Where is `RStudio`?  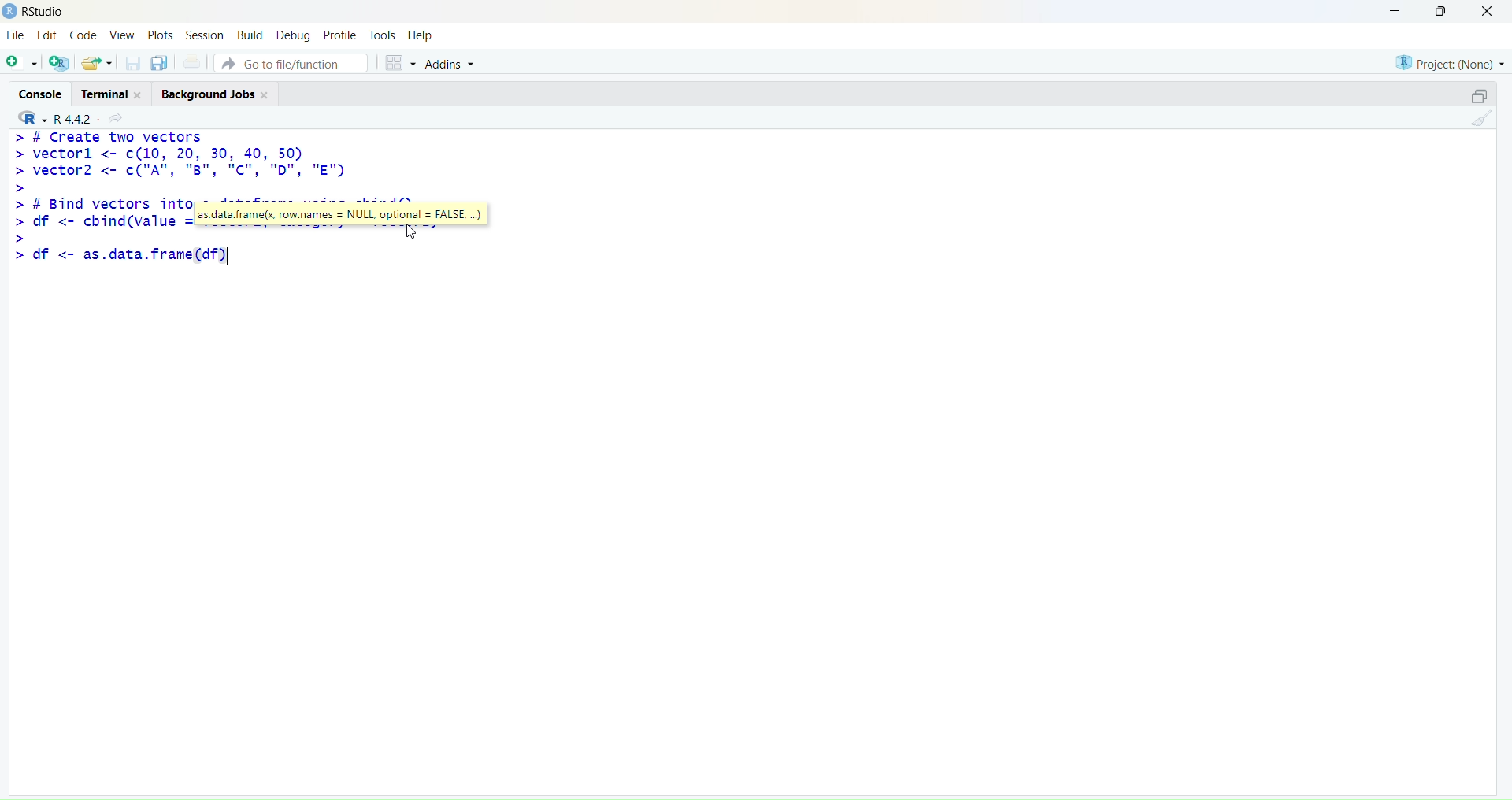
RStudio is located at coordinates (43, 12).